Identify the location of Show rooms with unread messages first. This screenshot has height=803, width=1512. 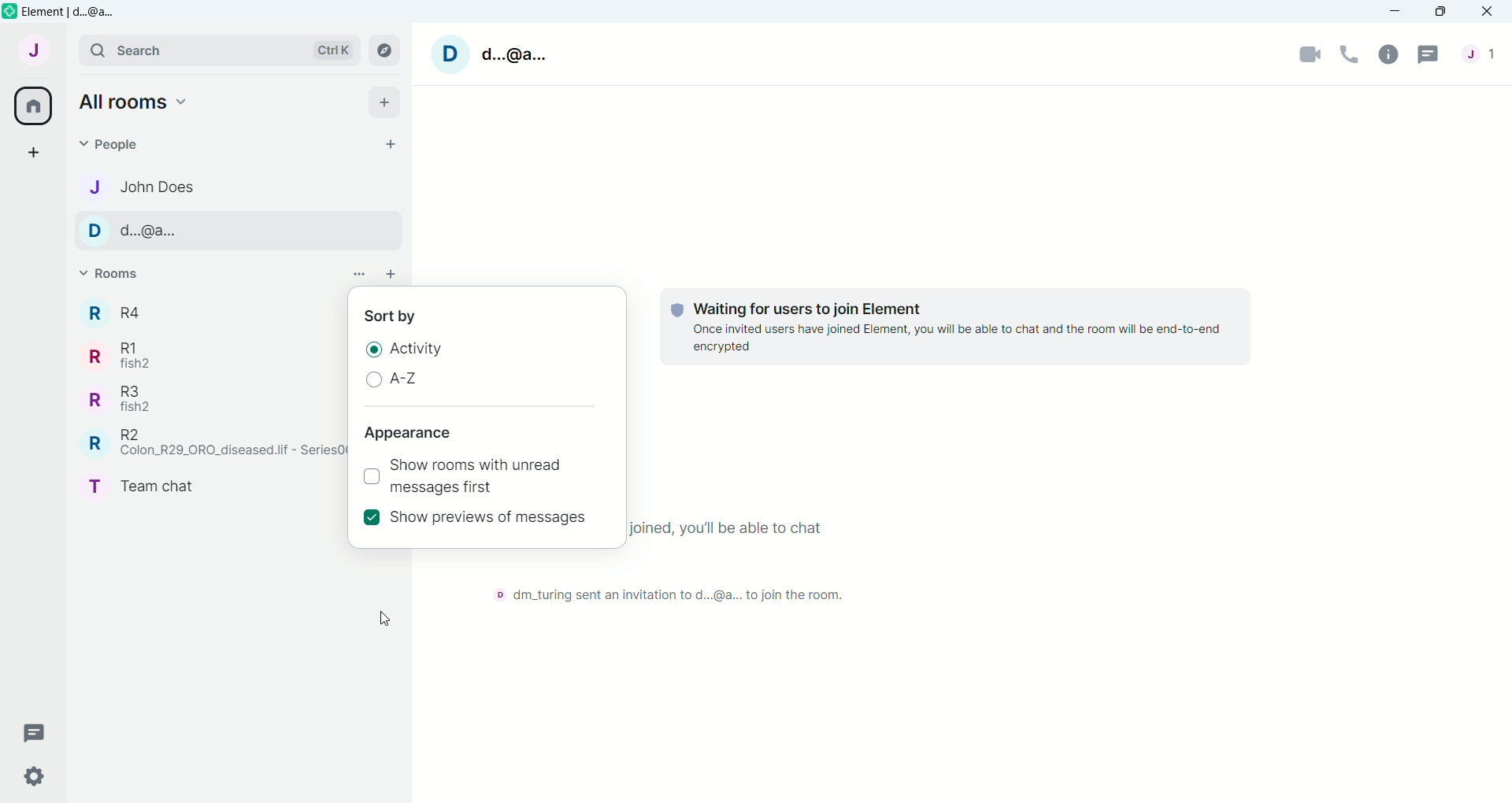
(490, 477).